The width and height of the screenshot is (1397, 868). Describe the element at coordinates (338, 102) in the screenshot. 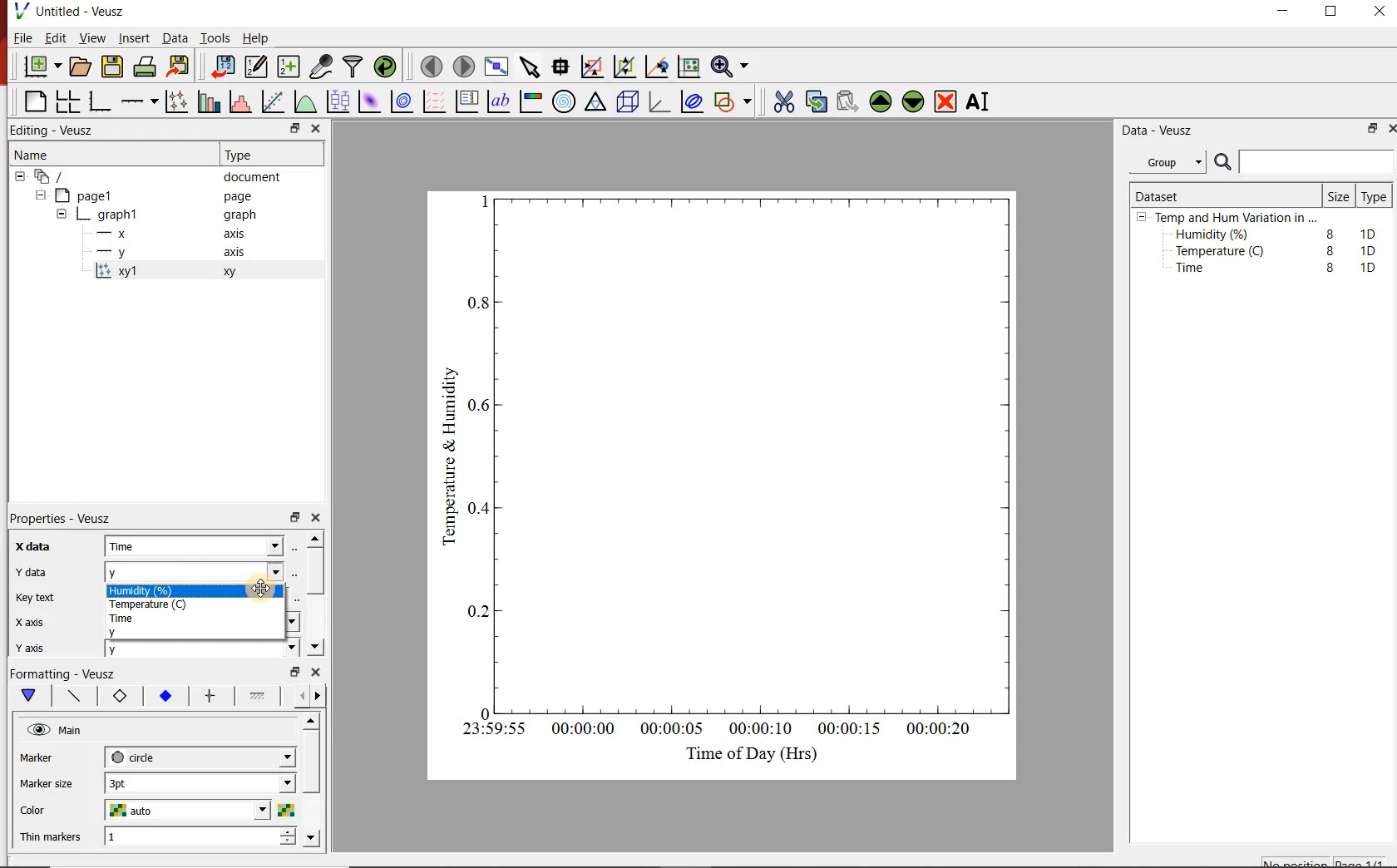

I see `plot box plots` at that location.